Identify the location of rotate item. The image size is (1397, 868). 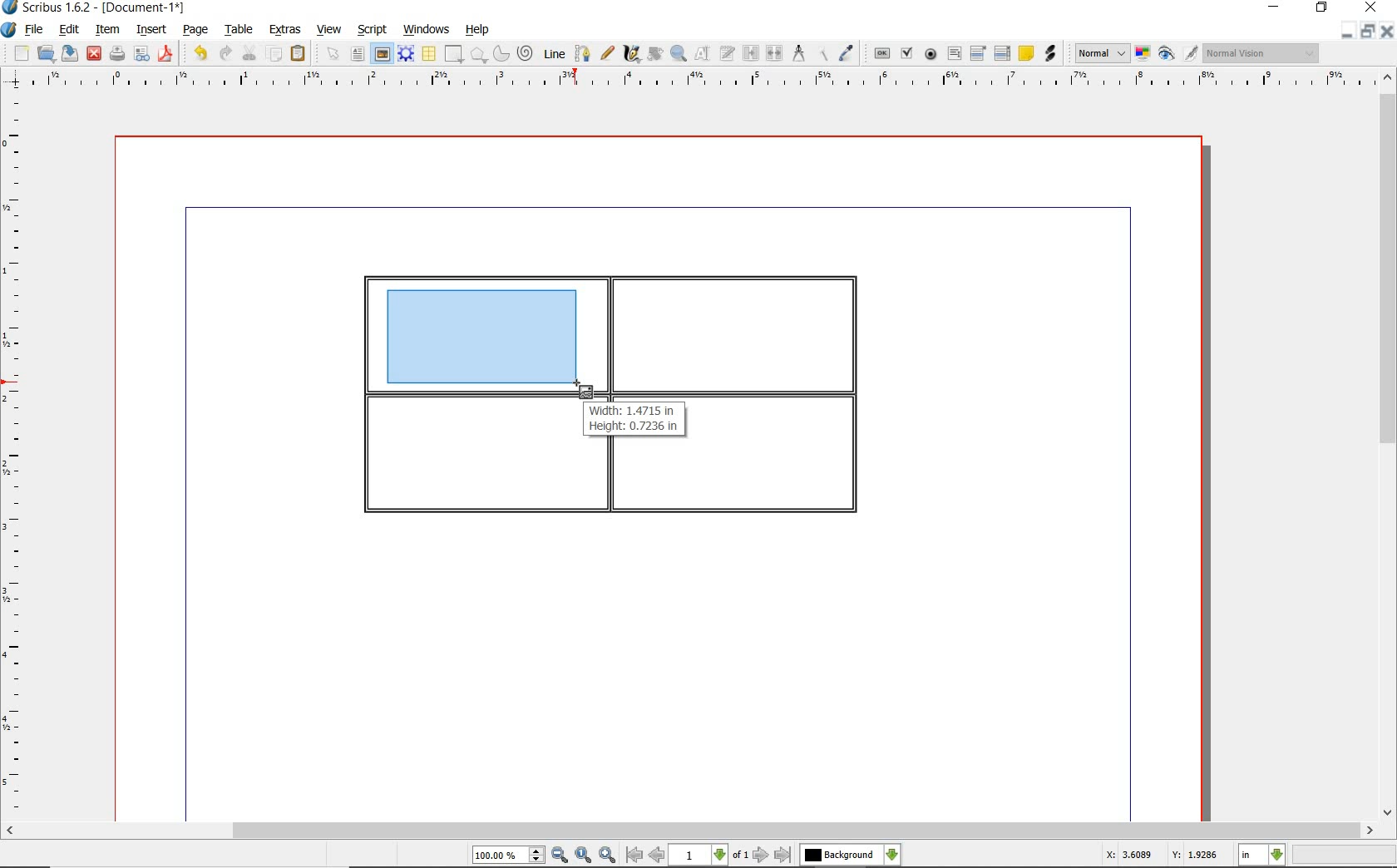
(654, 55).